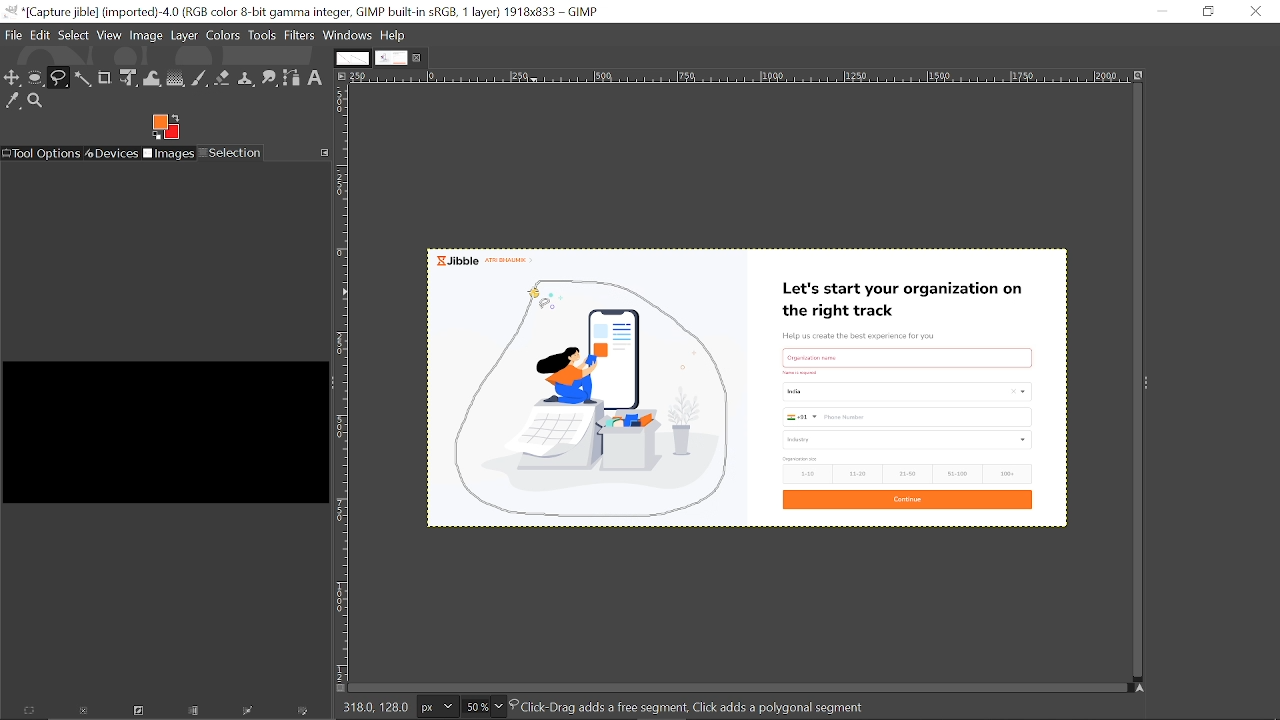 This screenshot has width=1280, height=720. What do you see at coordinates (499, 707) in the screenshot?
I see `Zoom options` at bounding box center [499, 707].